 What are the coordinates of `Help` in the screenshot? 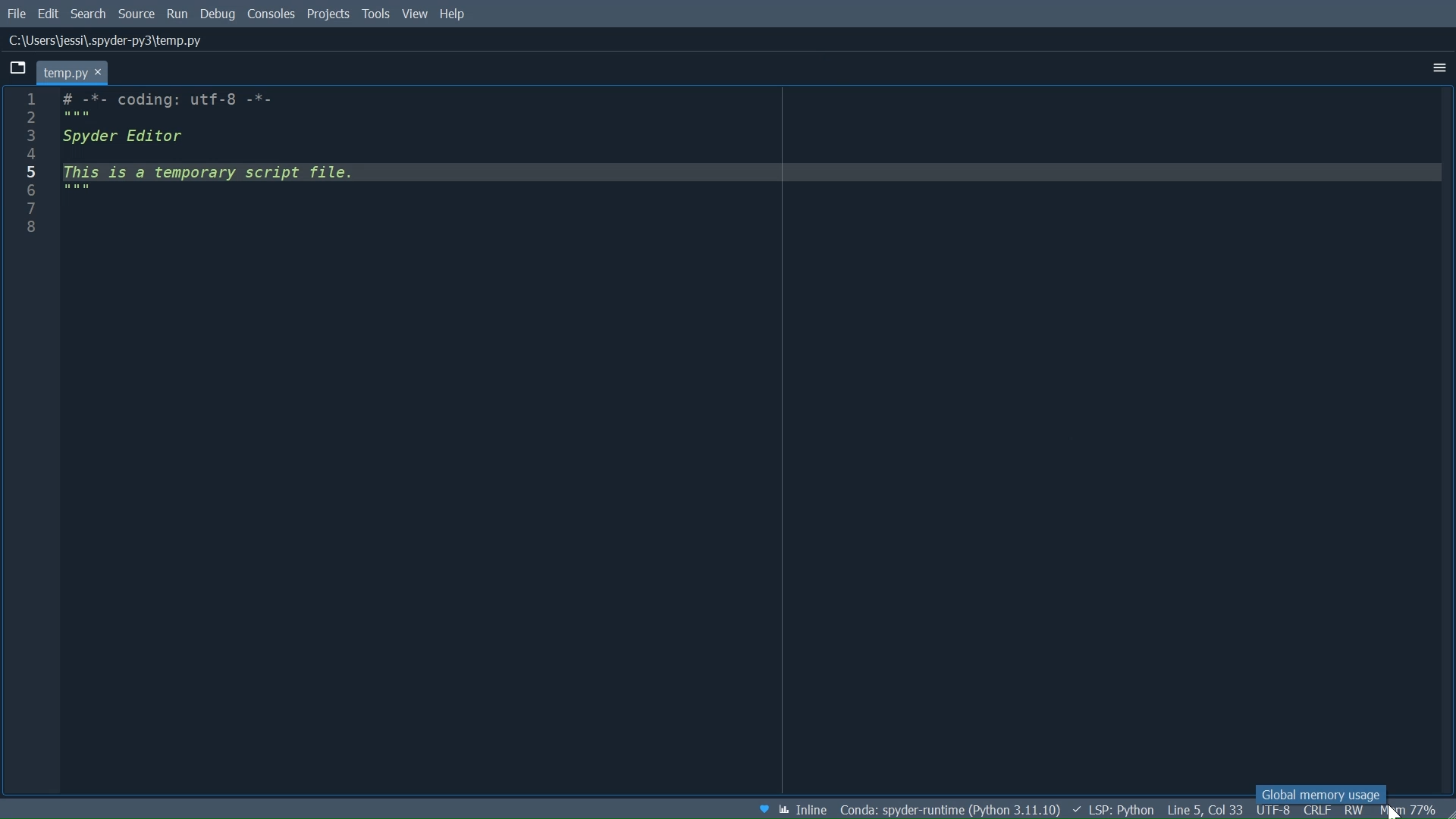 It's located at (454, 16).